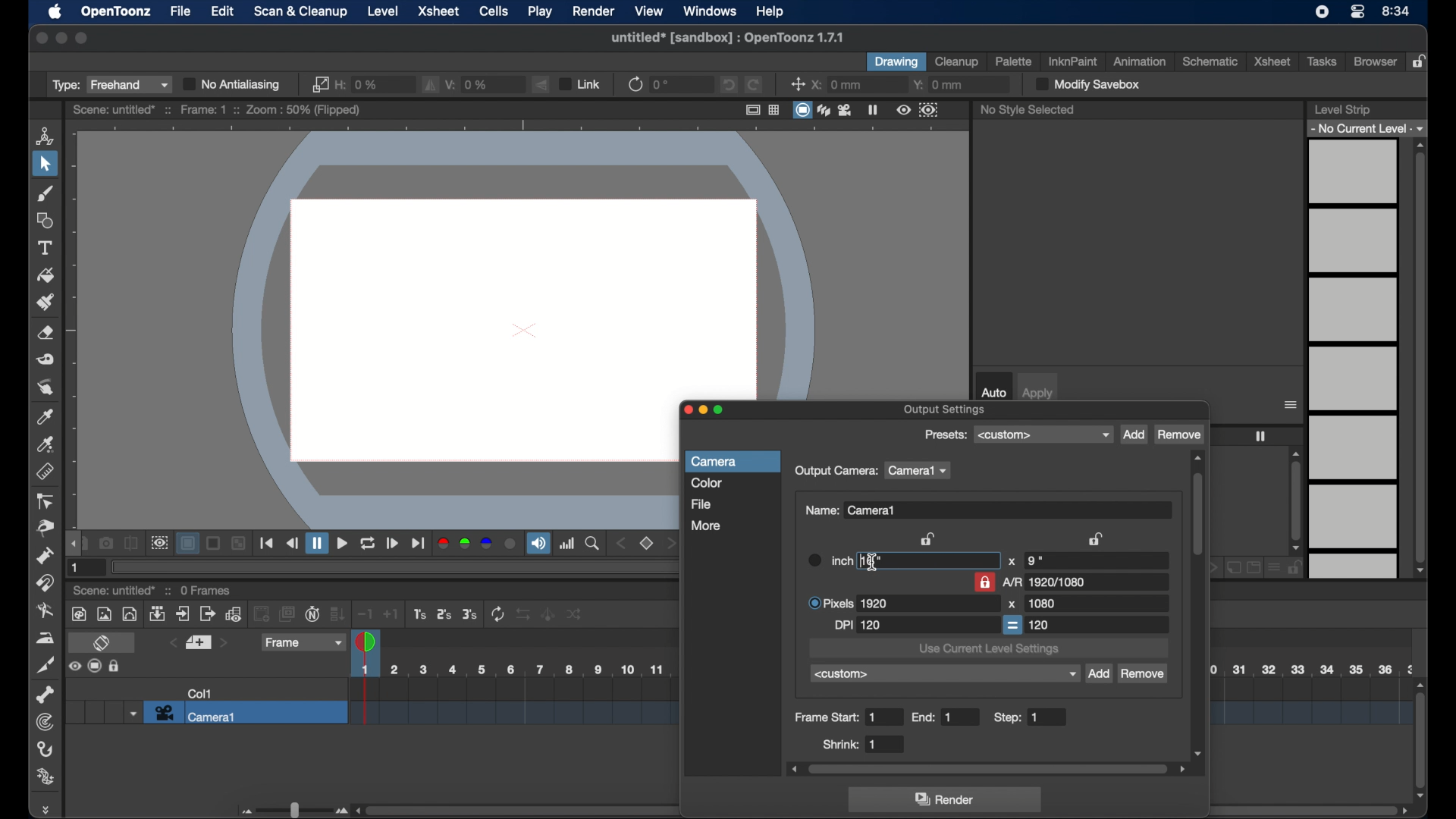  I want to click on pixels, so click(849, 603).